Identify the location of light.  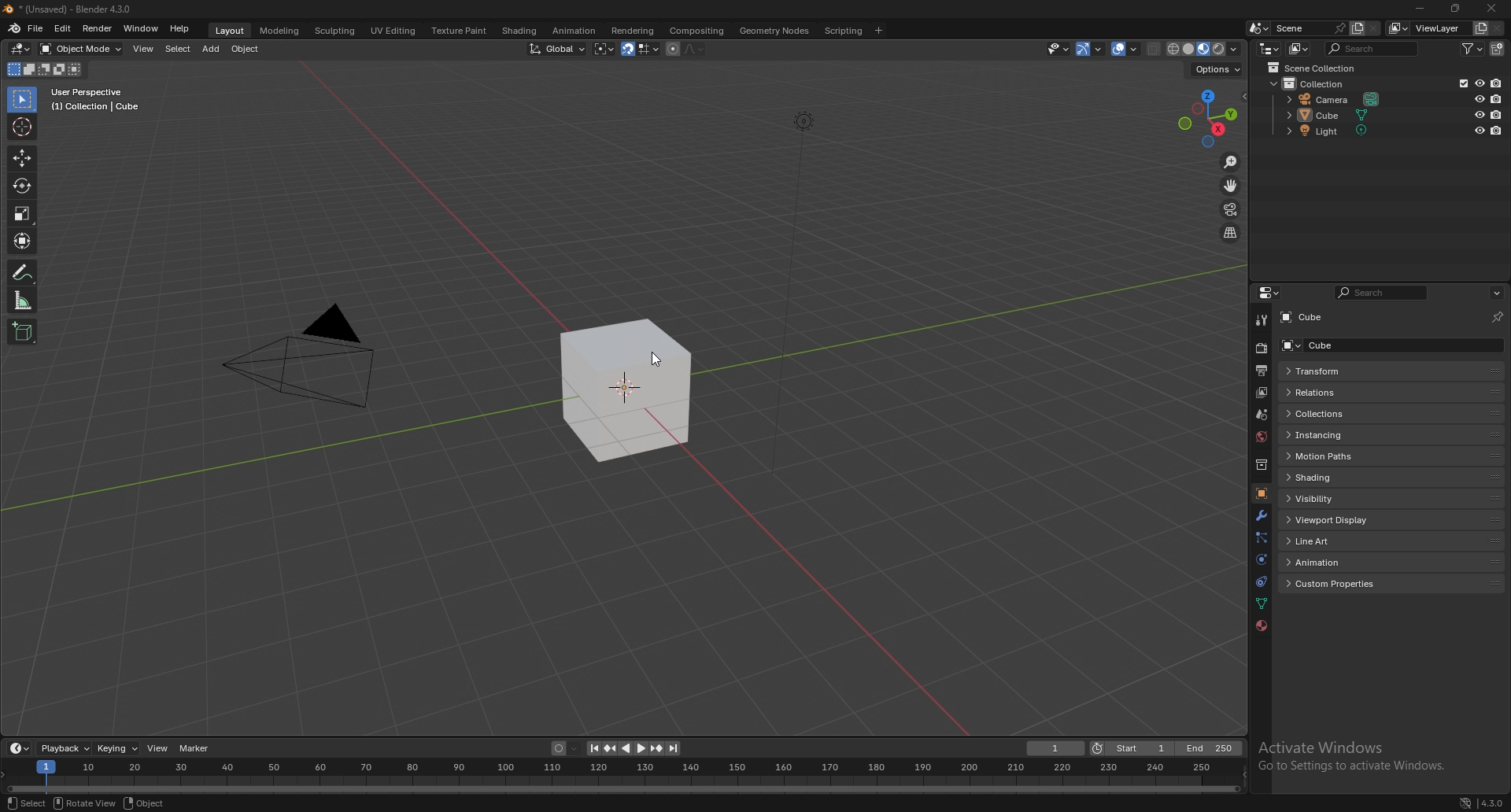
(1340, 131).